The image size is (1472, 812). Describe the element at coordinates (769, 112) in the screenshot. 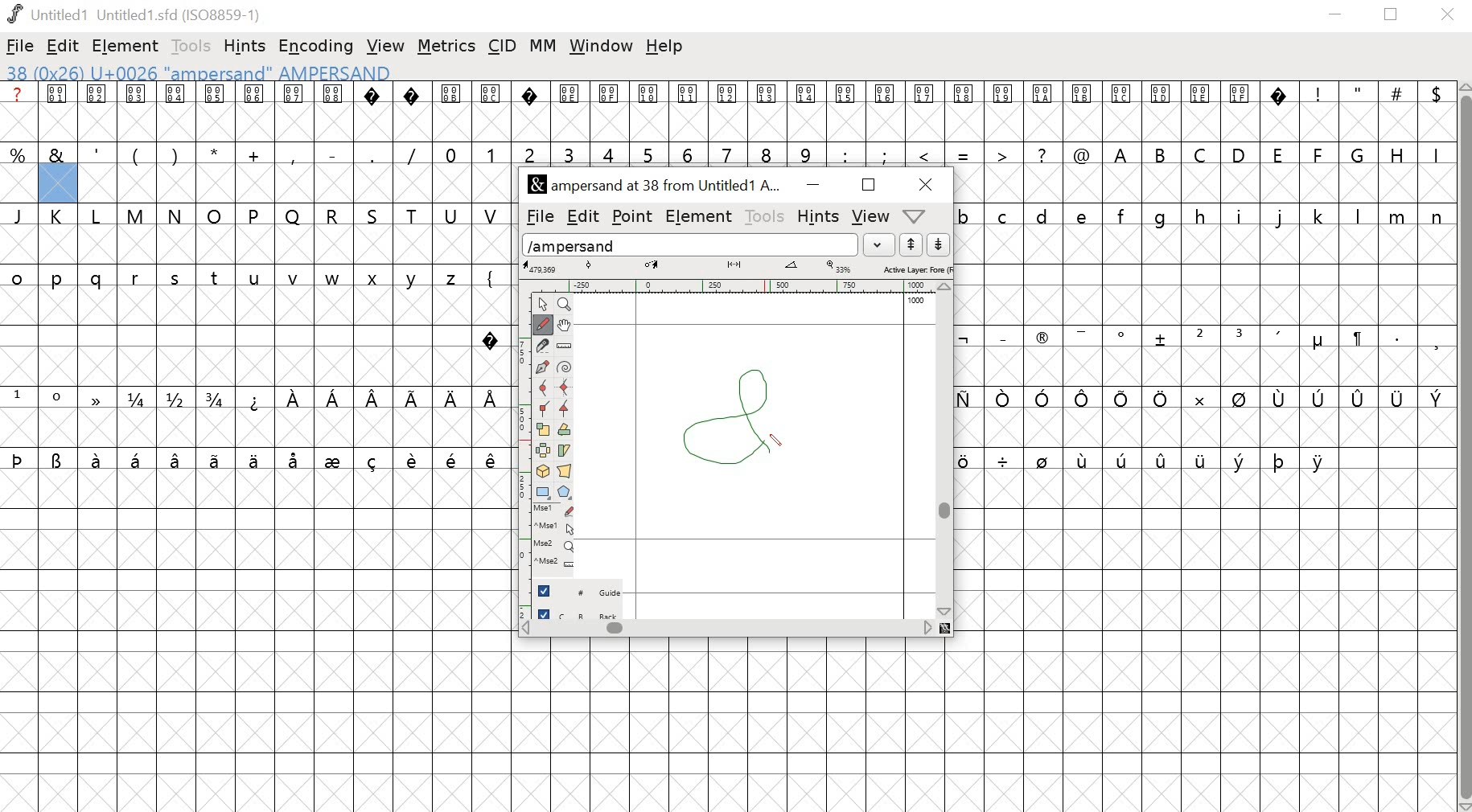

I see `0013` at that location.